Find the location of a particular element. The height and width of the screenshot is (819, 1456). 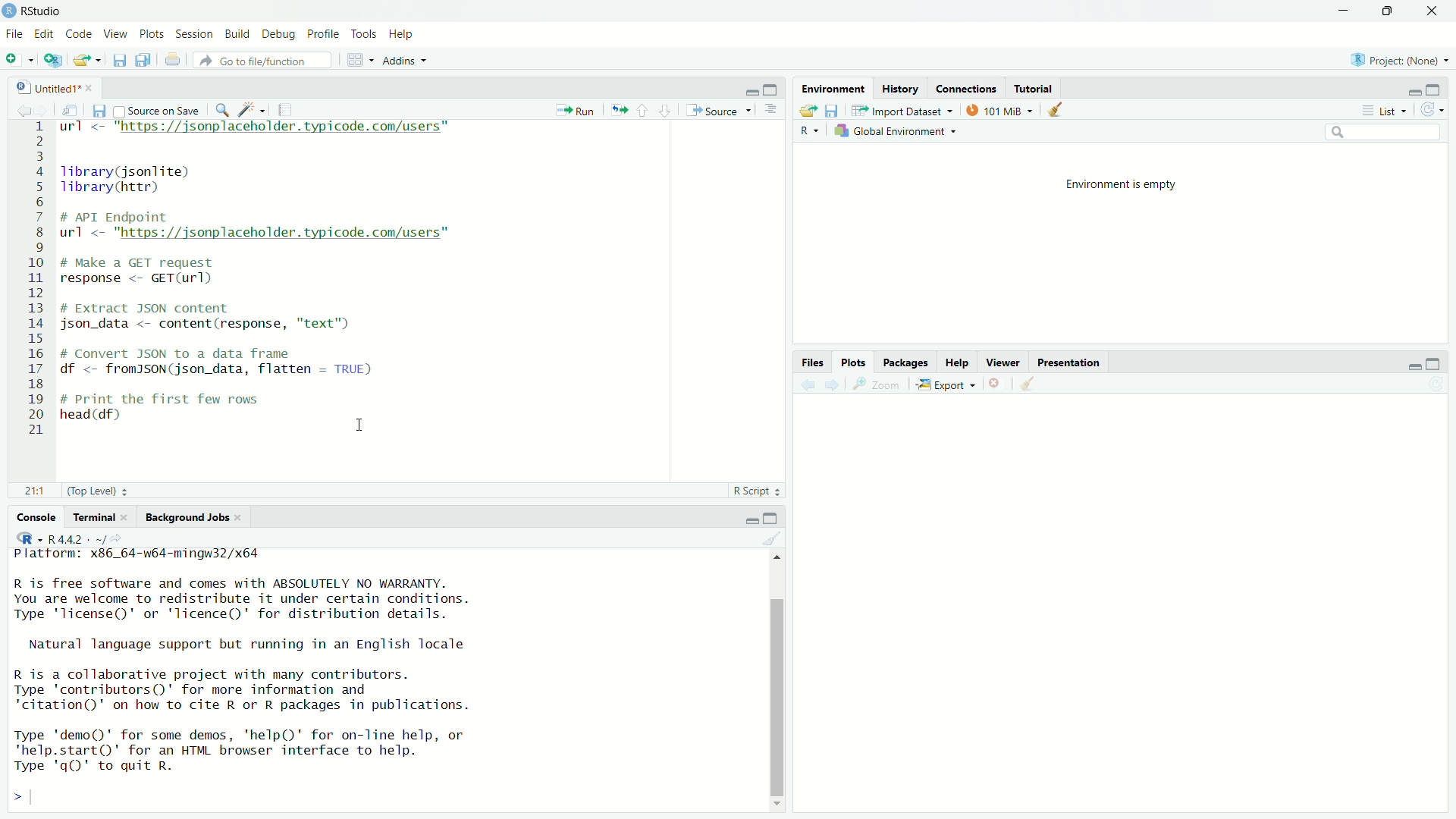

Natural language support but running in an English locale is located at coordinates (249, 645).